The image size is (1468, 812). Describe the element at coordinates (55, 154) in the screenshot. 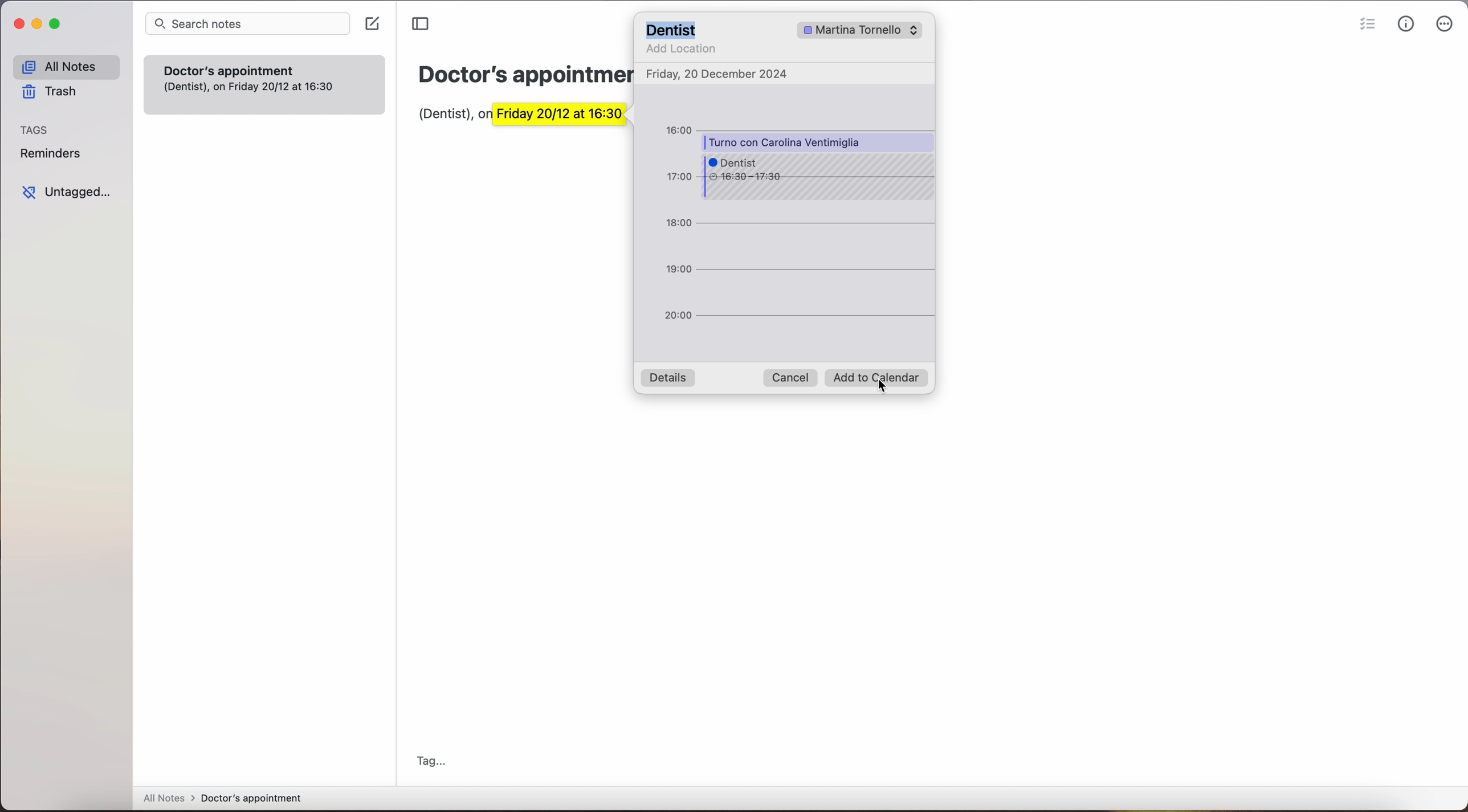

I see `Reminders` at that location.